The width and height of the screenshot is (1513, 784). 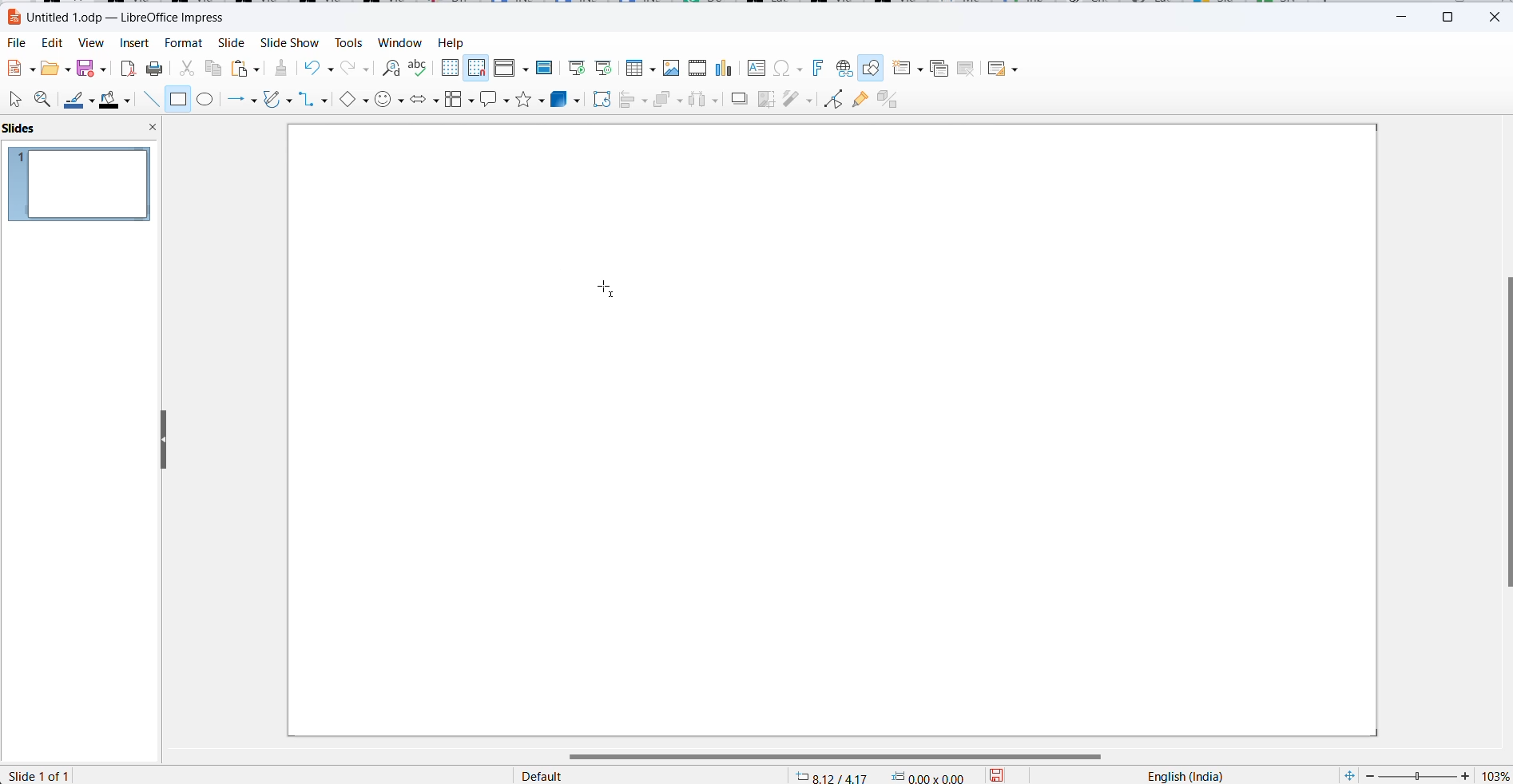 What do you see at coordinates (451, 42) in the screenshot?
I see `help` at bounding box center [451, 42].